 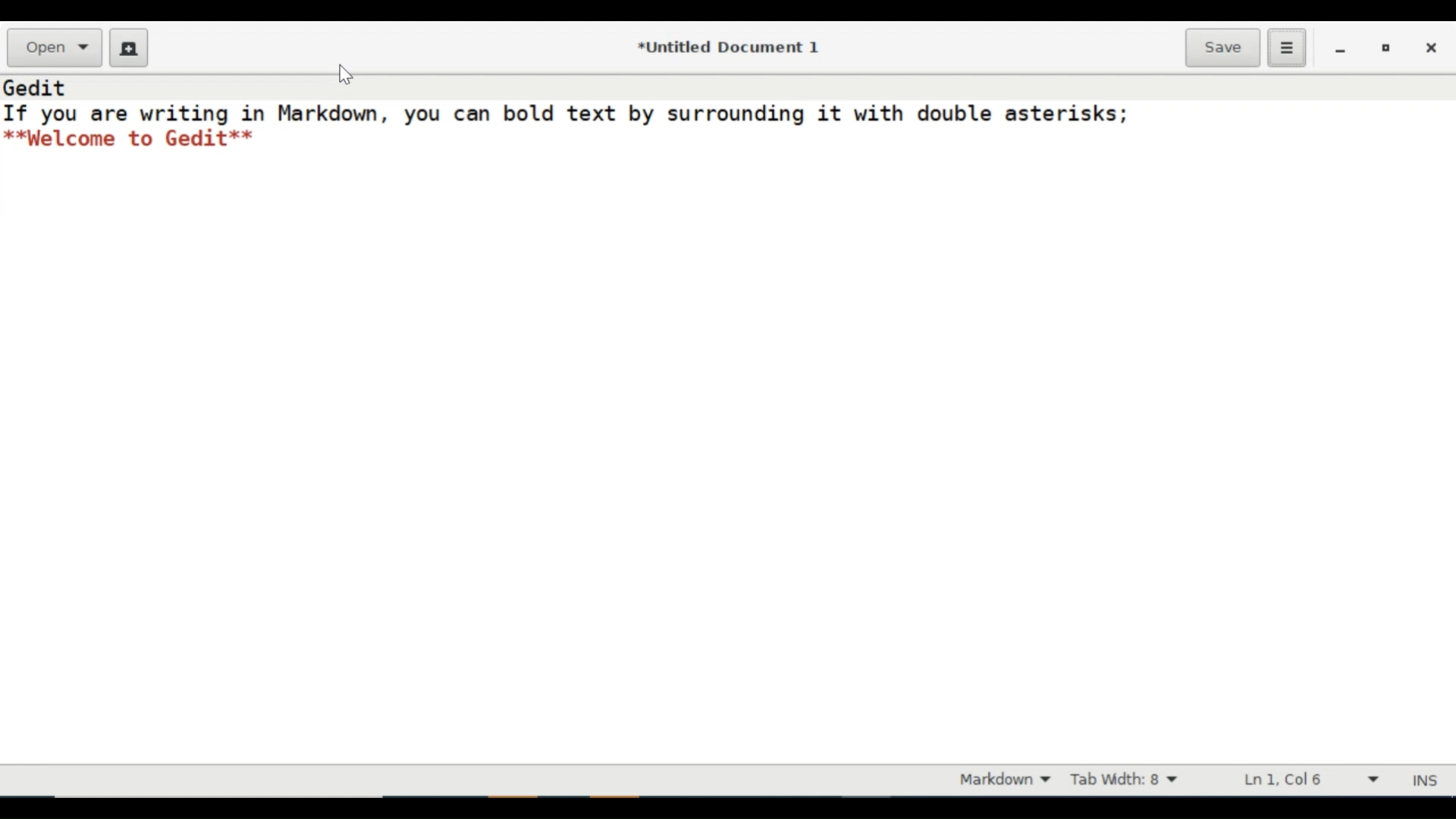 I want to click on Create a new Document, so click(x=128, y=47).